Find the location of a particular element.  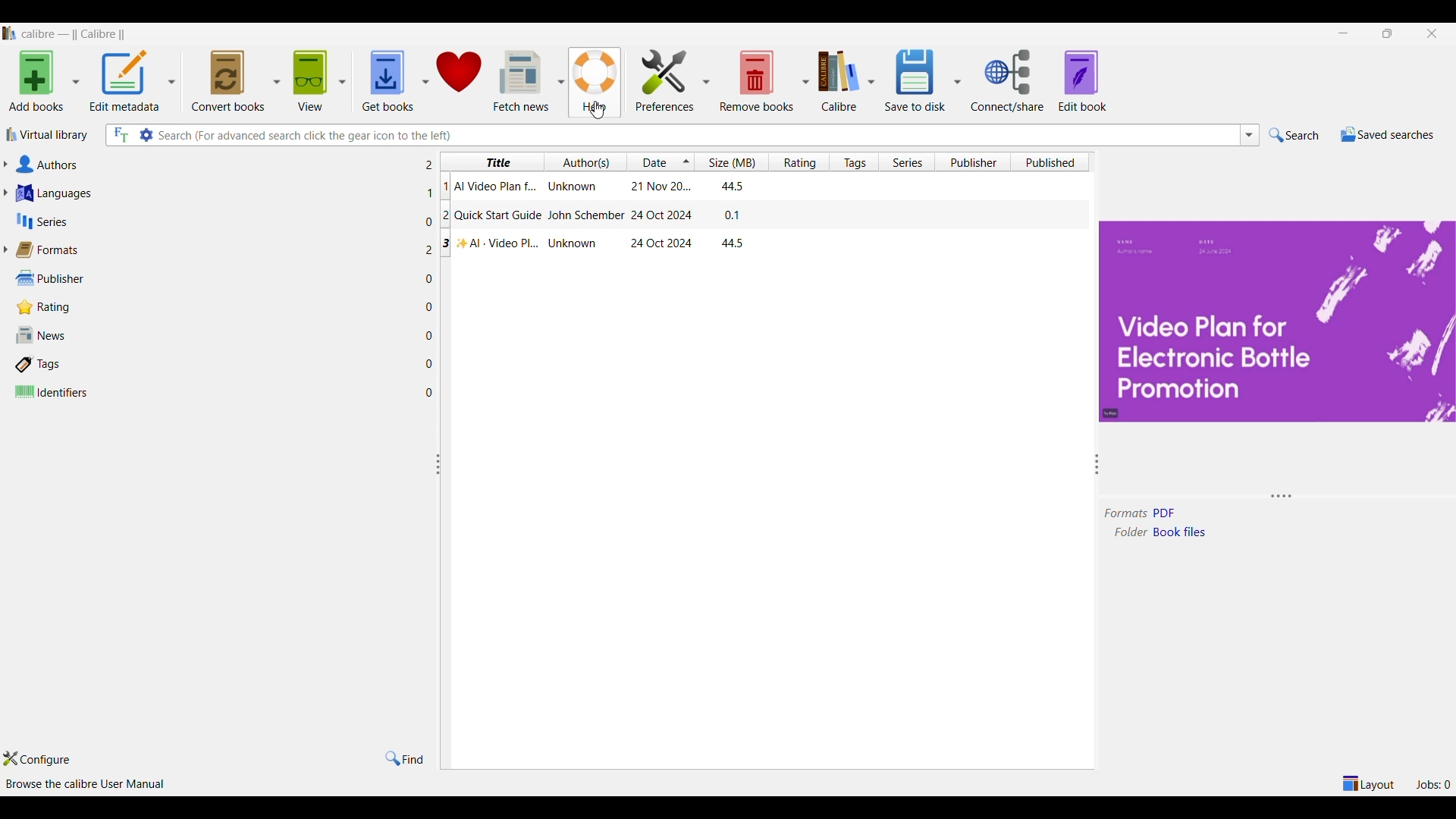

Languages is located at coordinates (213, 193).